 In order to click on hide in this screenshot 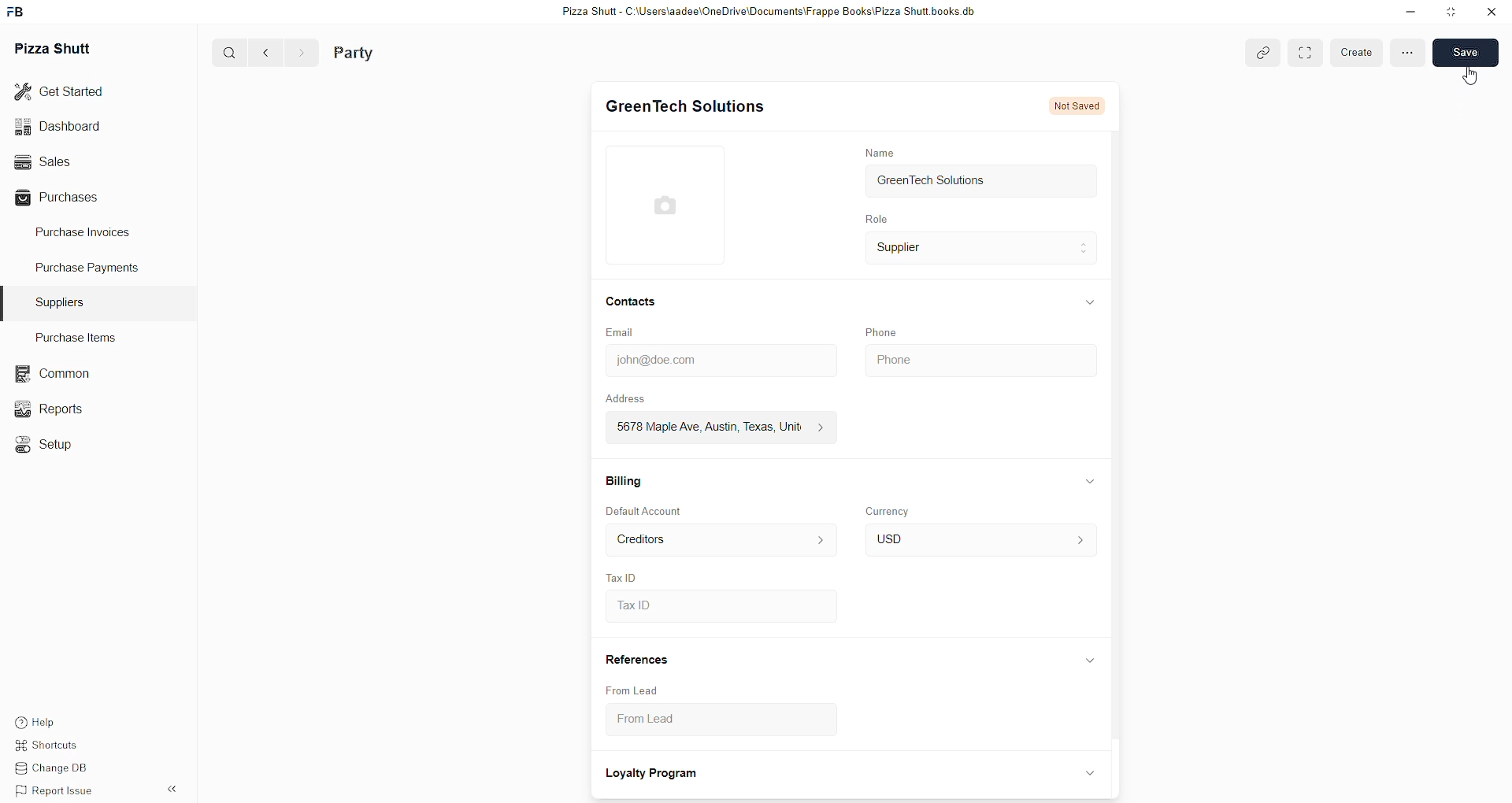, I will do `click(170, 790)`.